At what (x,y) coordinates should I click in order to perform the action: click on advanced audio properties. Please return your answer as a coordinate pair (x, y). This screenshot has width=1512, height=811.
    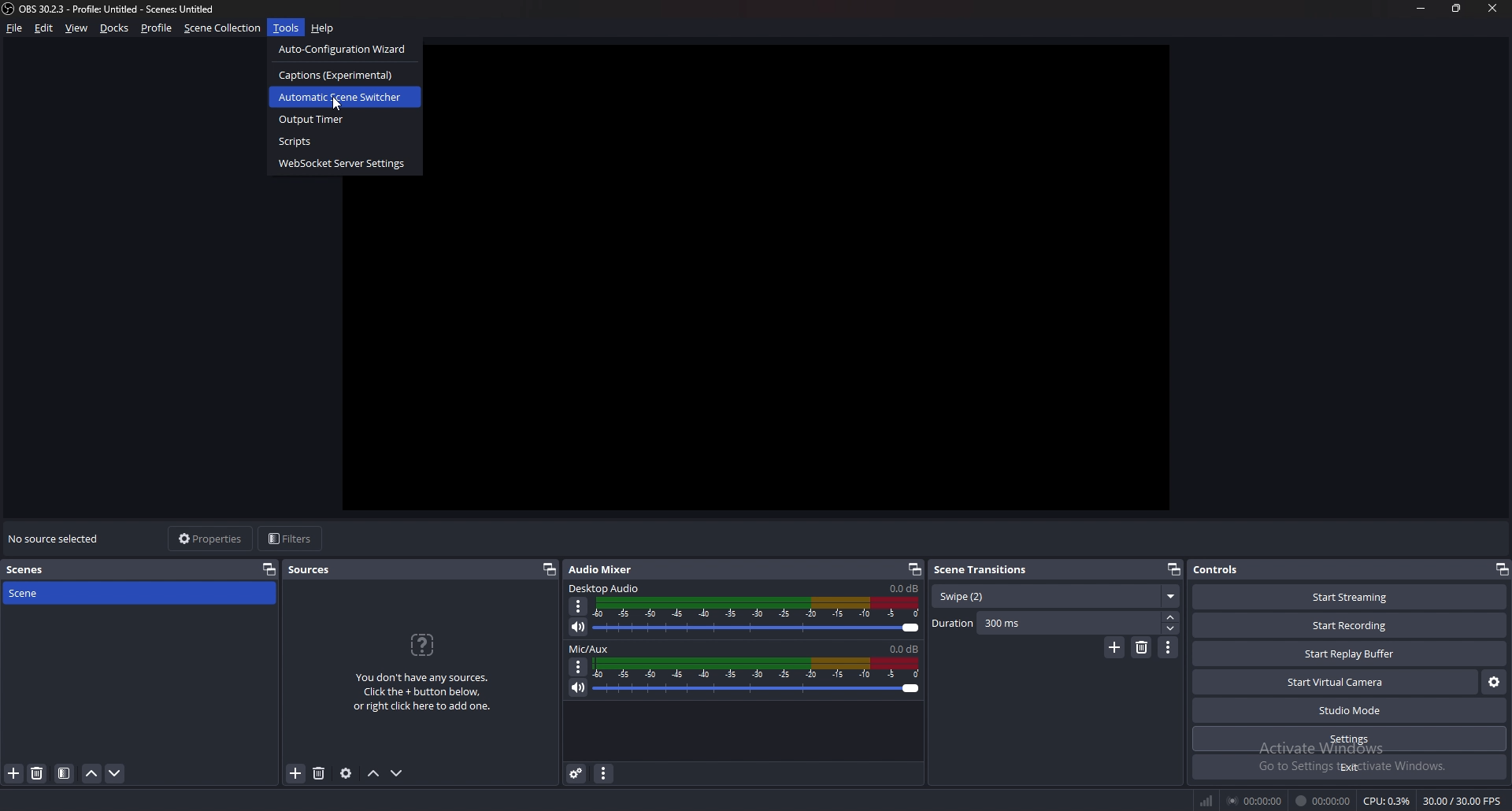
    Looking at the image, I should click on (576, 772).